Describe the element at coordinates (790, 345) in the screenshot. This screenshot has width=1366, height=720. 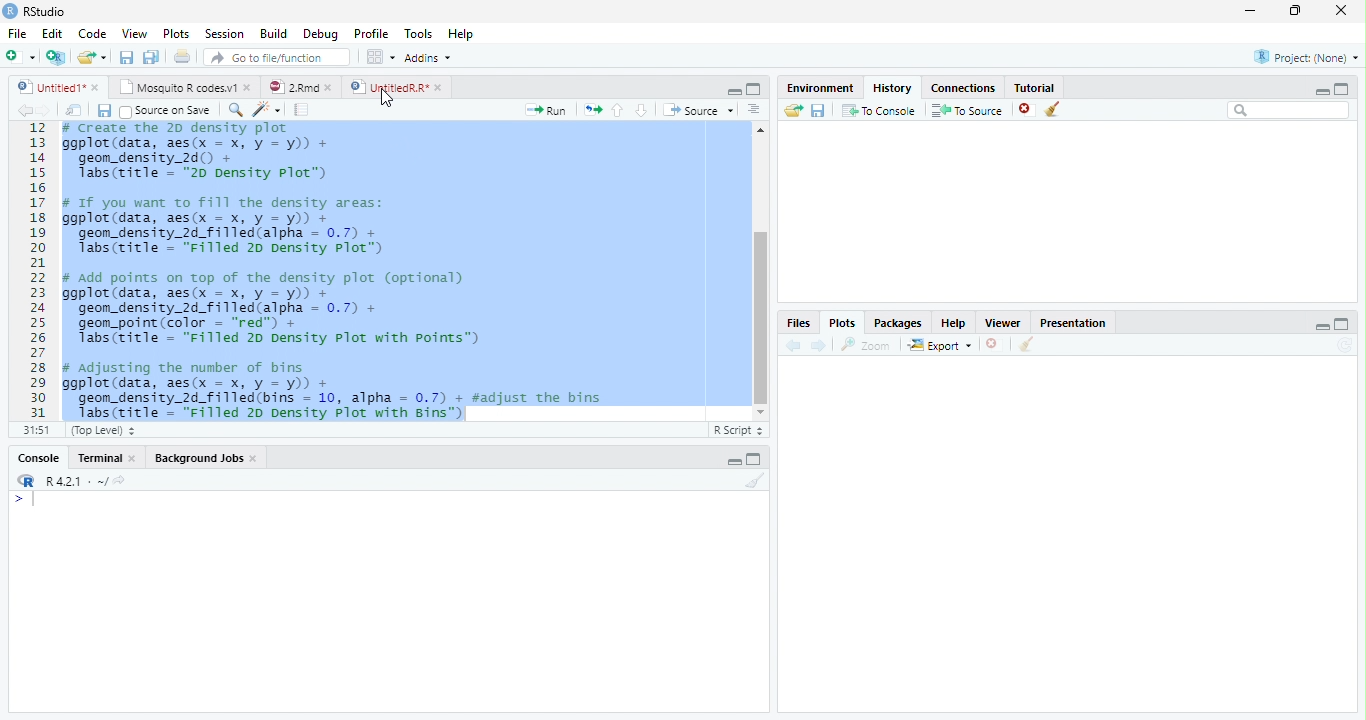
I see `back` at that location.